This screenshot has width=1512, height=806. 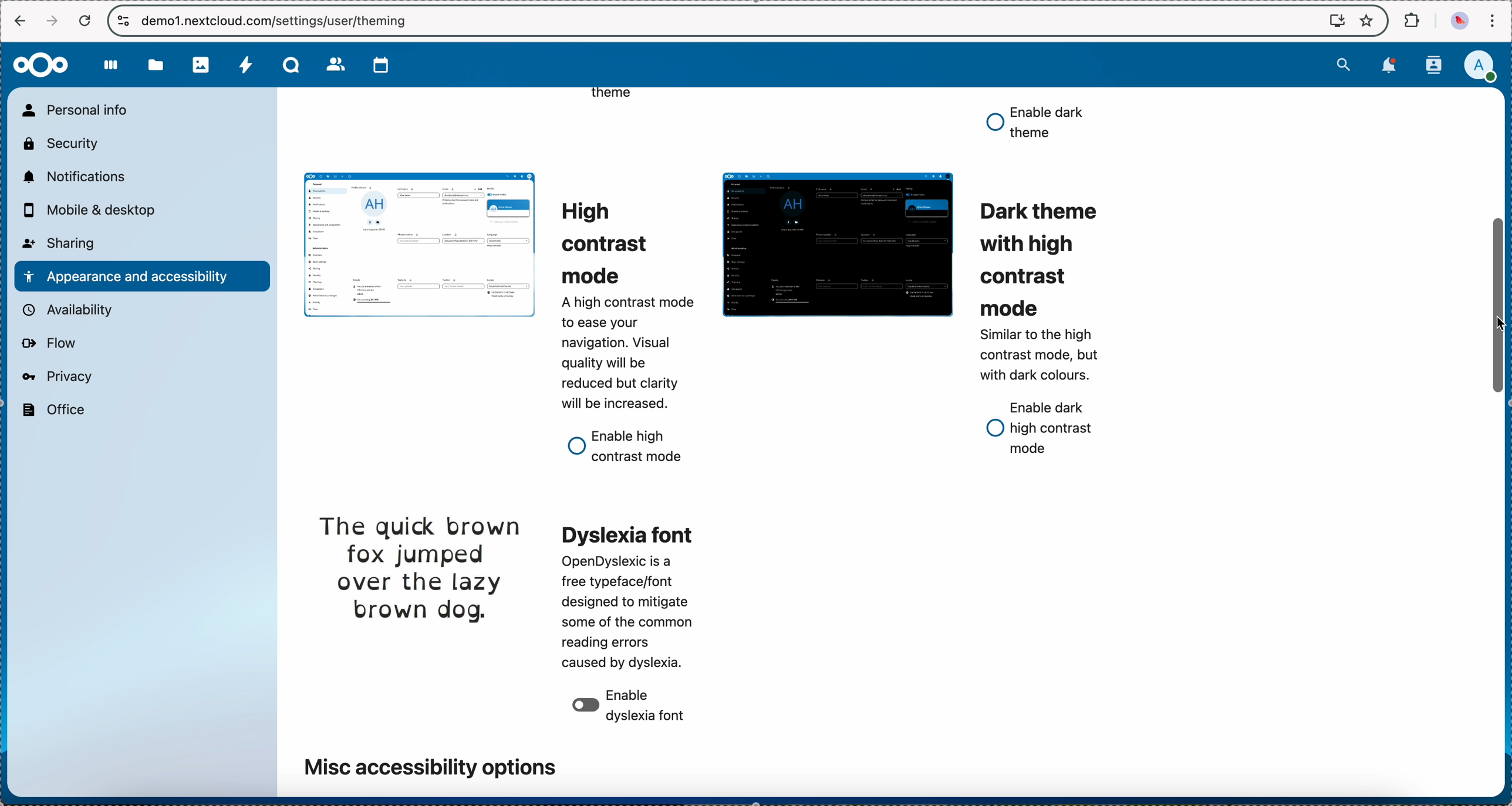 I want to click on dashboard, so click(x=112, y=72).